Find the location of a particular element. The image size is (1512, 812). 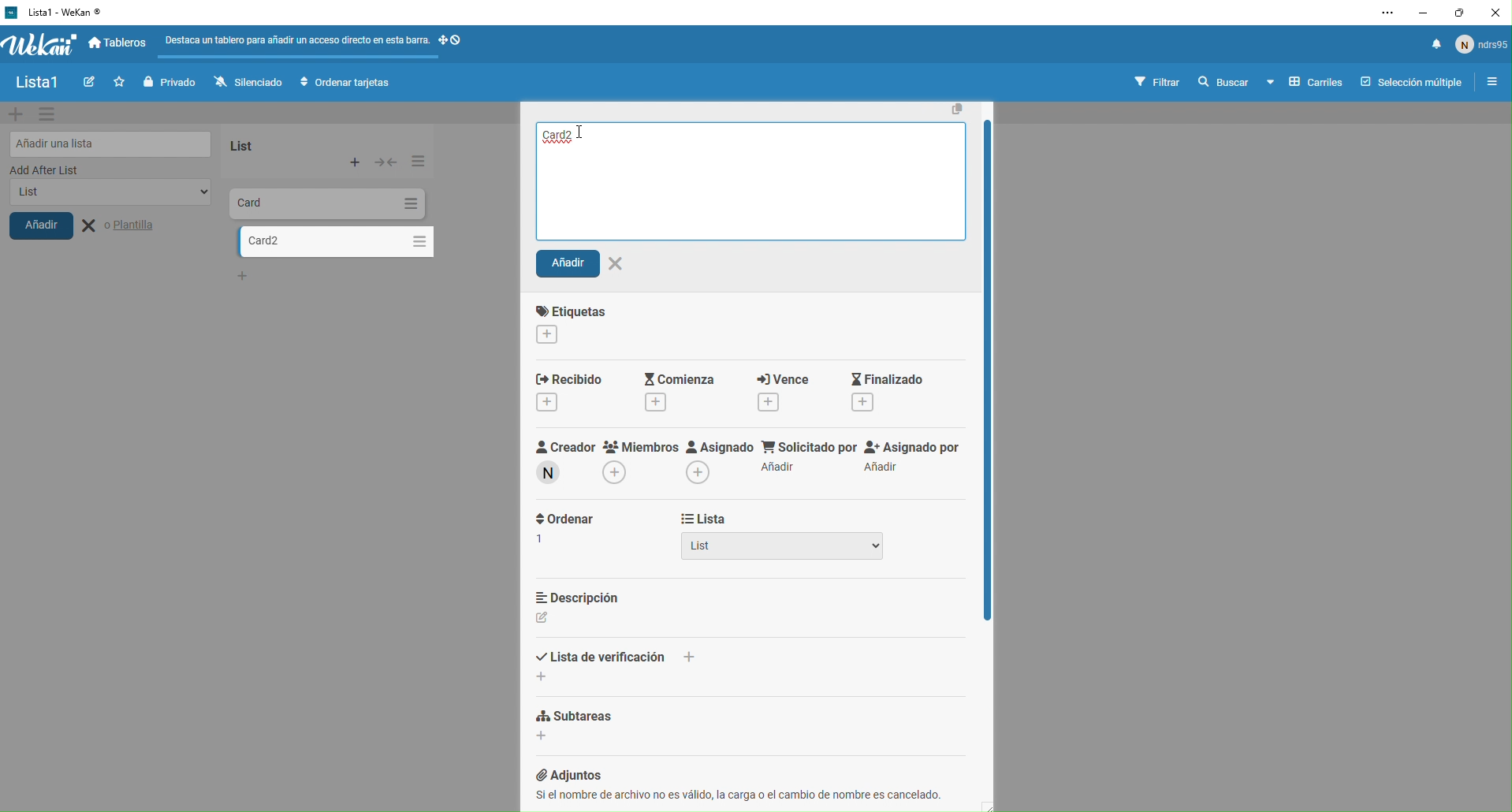

opciones is located at coordinates (1488, 84).